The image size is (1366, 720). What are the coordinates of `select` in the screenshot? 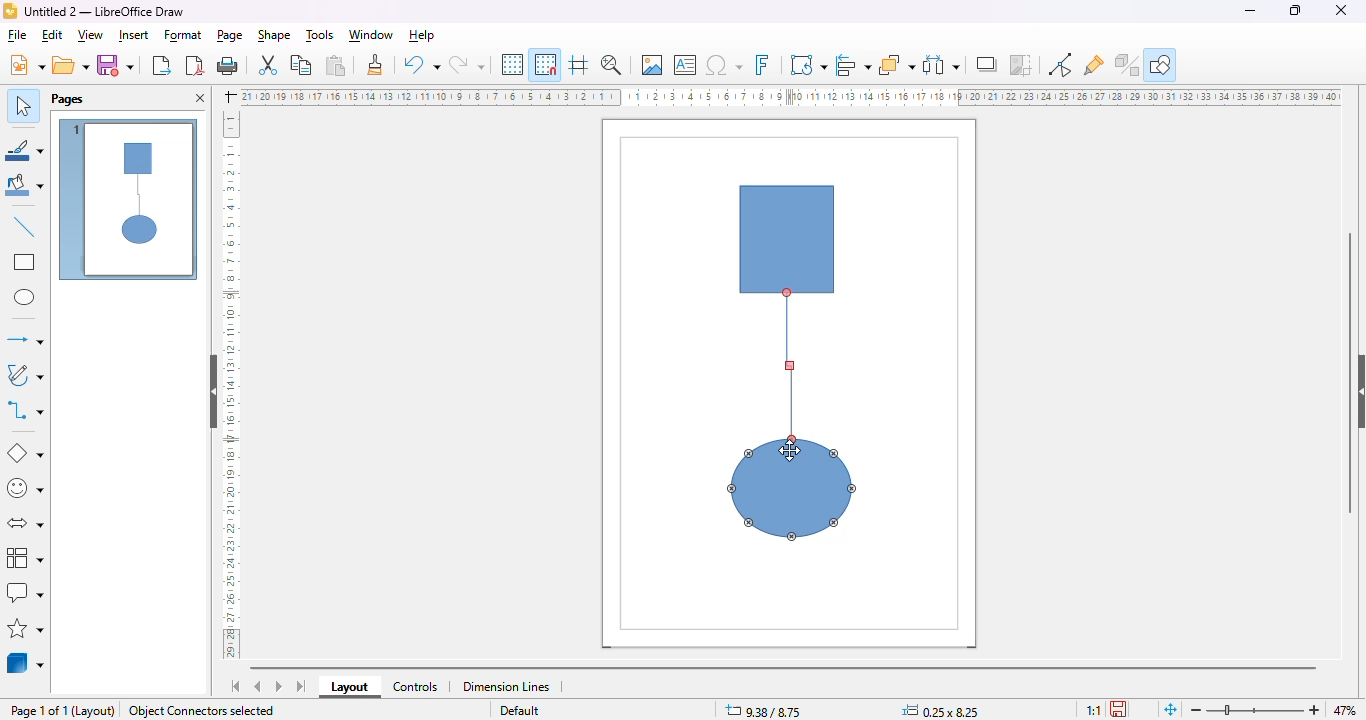 It's located at (23, 104).